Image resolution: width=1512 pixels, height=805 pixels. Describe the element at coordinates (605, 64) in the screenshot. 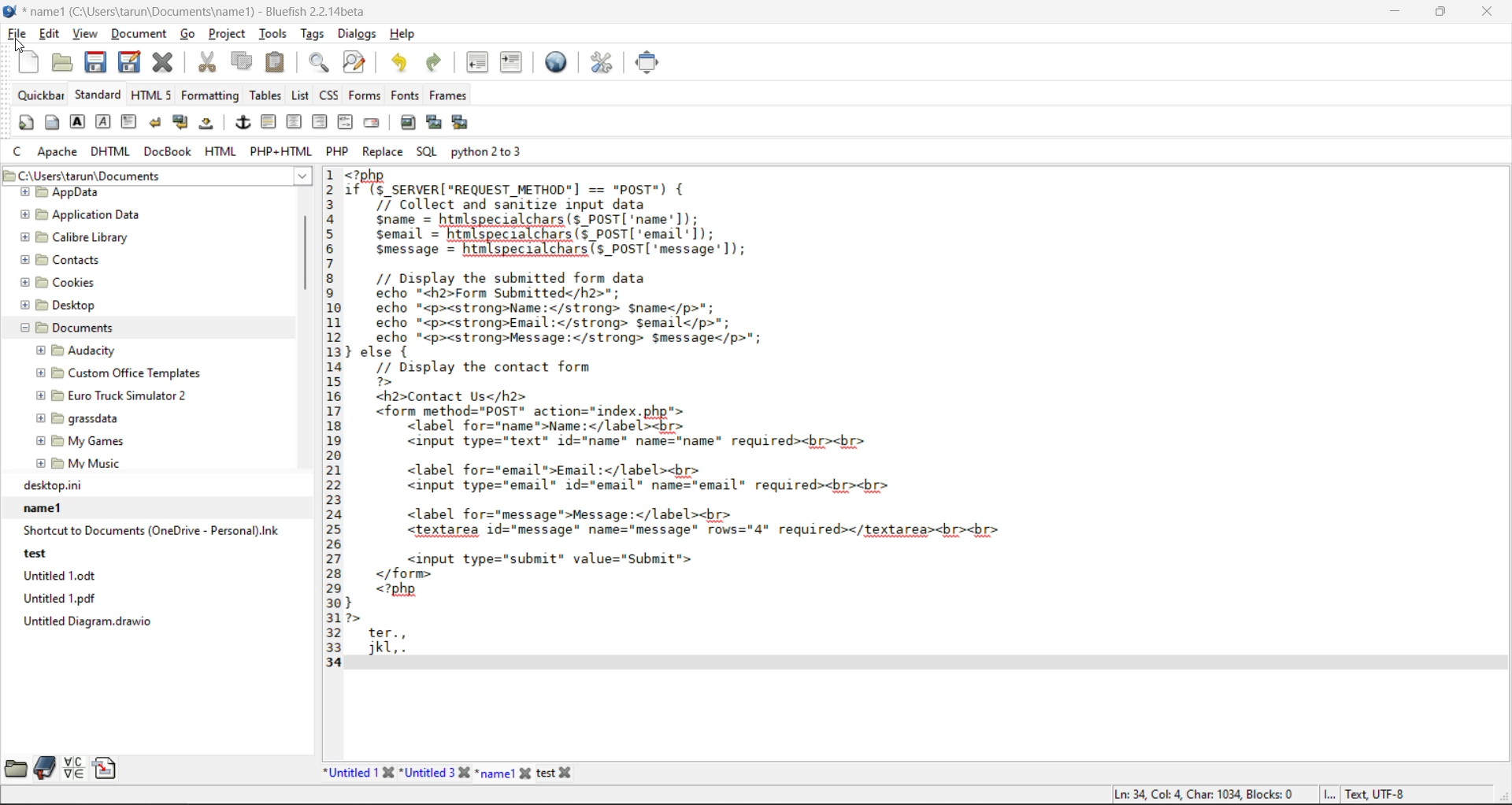

I see `edit preferences` at that location.